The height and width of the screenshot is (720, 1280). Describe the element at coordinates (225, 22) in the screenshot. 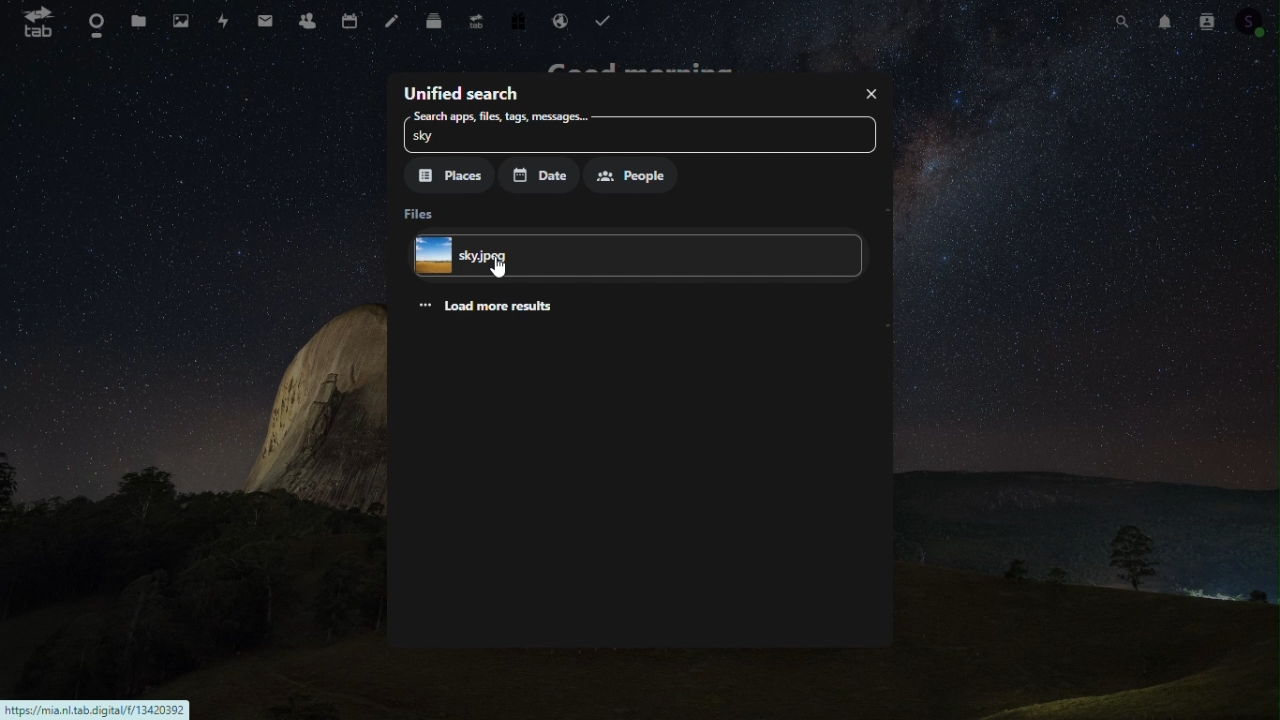

I see `Activity ` at that location.